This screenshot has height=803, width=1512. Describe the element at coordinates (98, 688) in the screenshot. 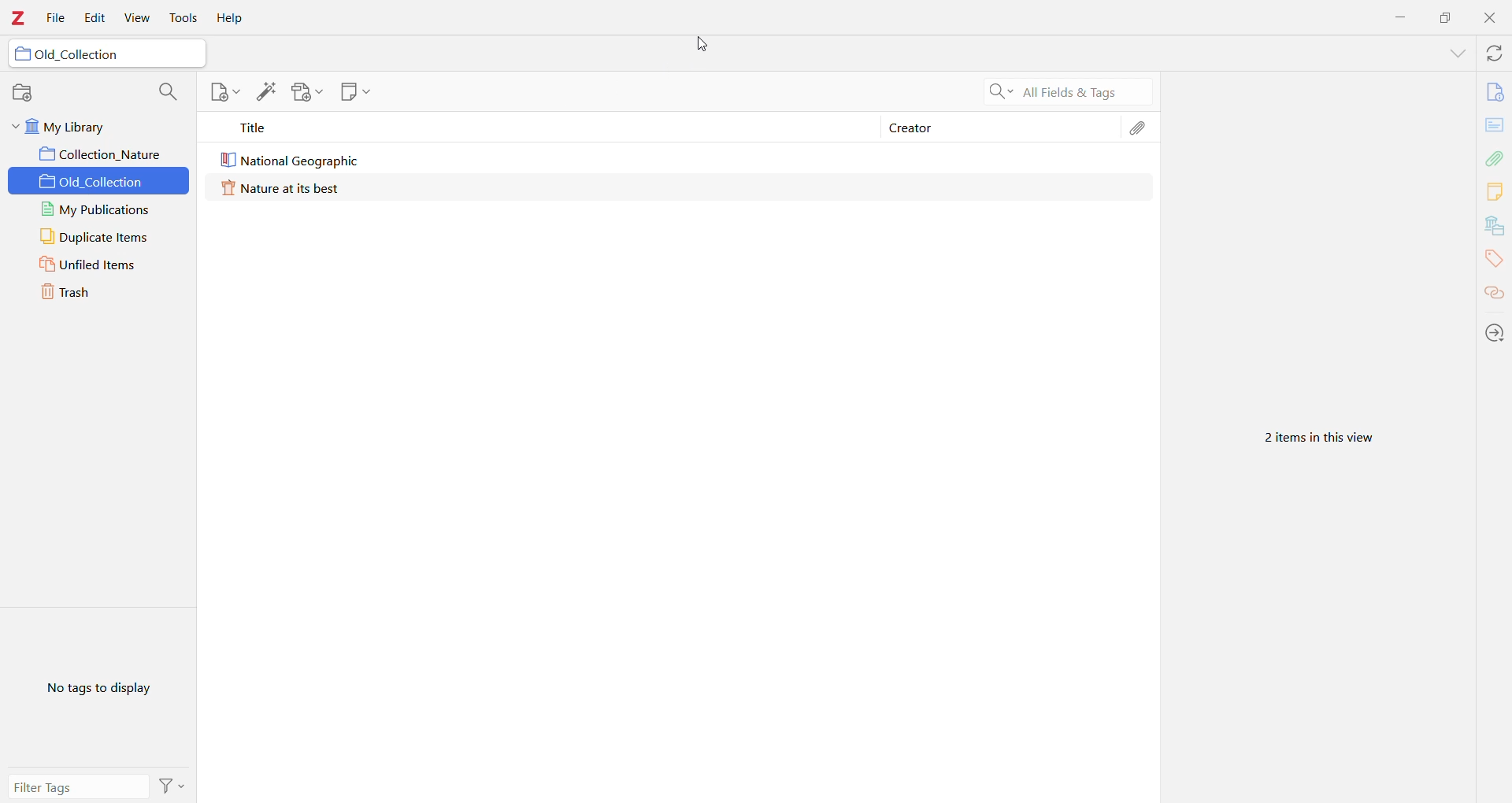

I see `No tags to display` at that location.